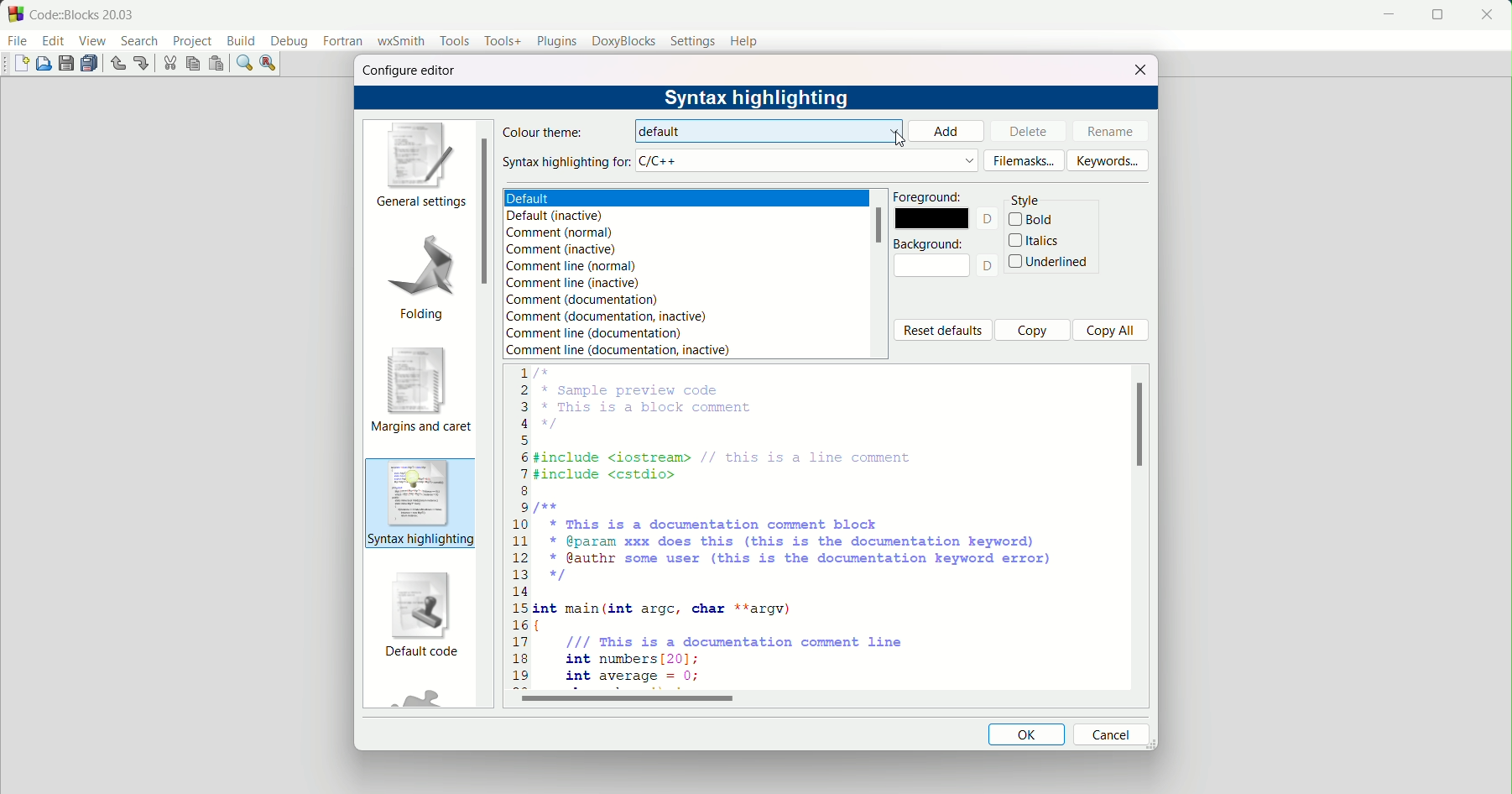 Image resolution: width=1512 pixels, height=794 pixels. What do you see at coordinates (987, 220) in the screenshot?
I see `text` at bounding box center [987, 220].